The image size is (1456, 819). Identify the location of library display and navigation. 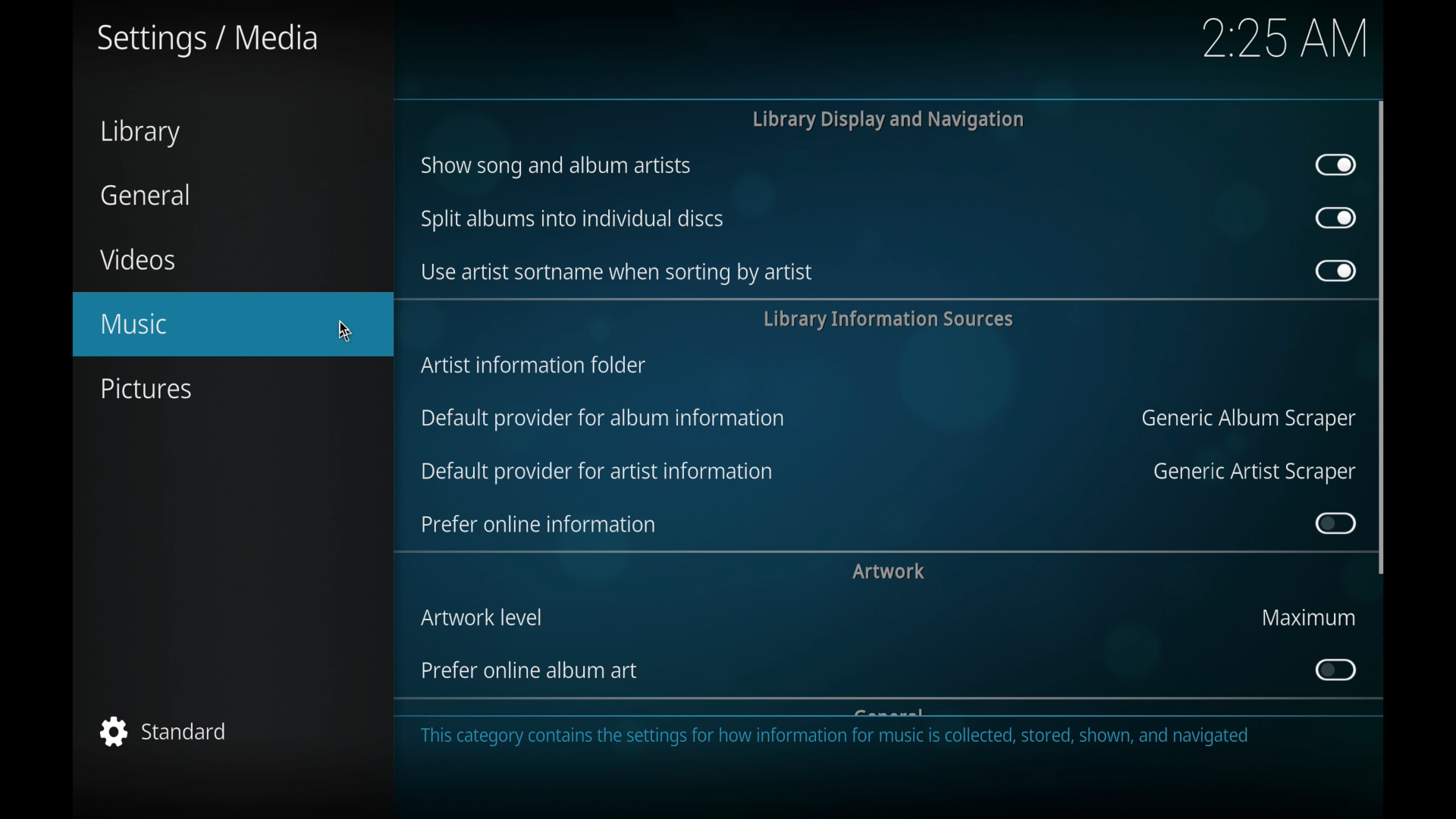
(887, 120).